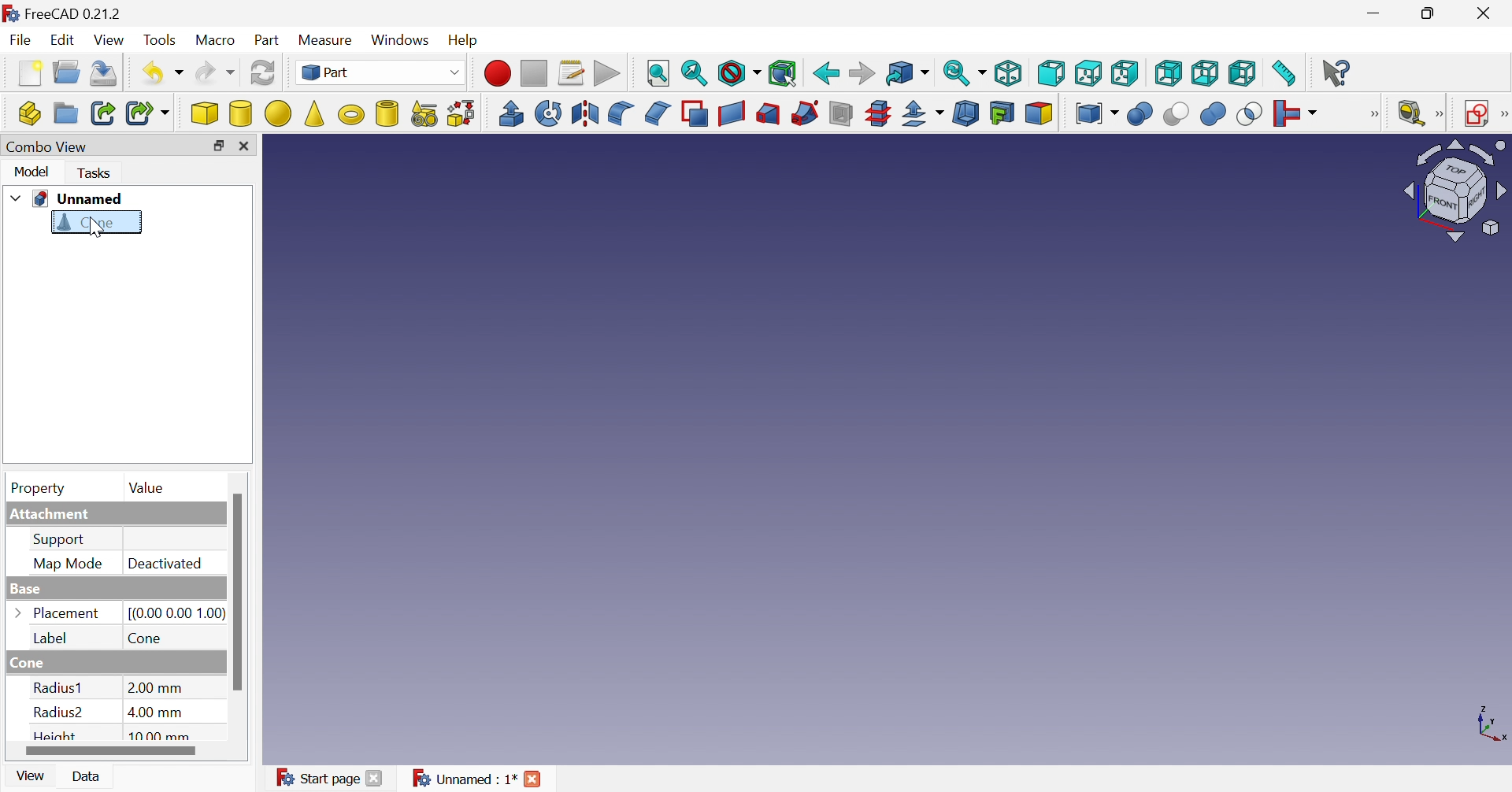  What do you see at coordinates (264, 75) in the screenshot?
I see `Refresh` at bounding box center [264, 75].